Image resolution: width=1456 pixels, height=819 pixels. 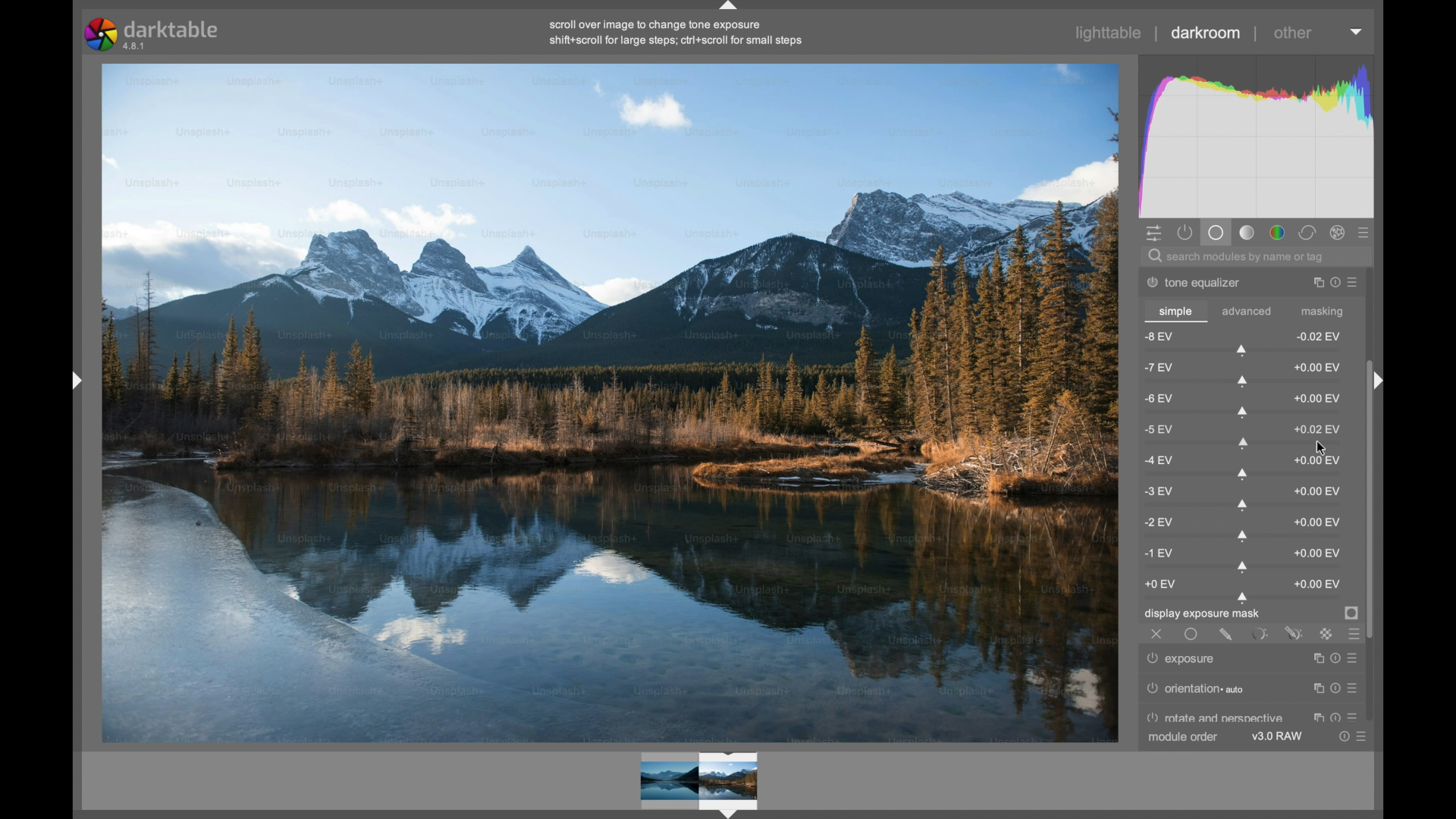 I want to click on reset parameters, so click(x=1341, y=737).